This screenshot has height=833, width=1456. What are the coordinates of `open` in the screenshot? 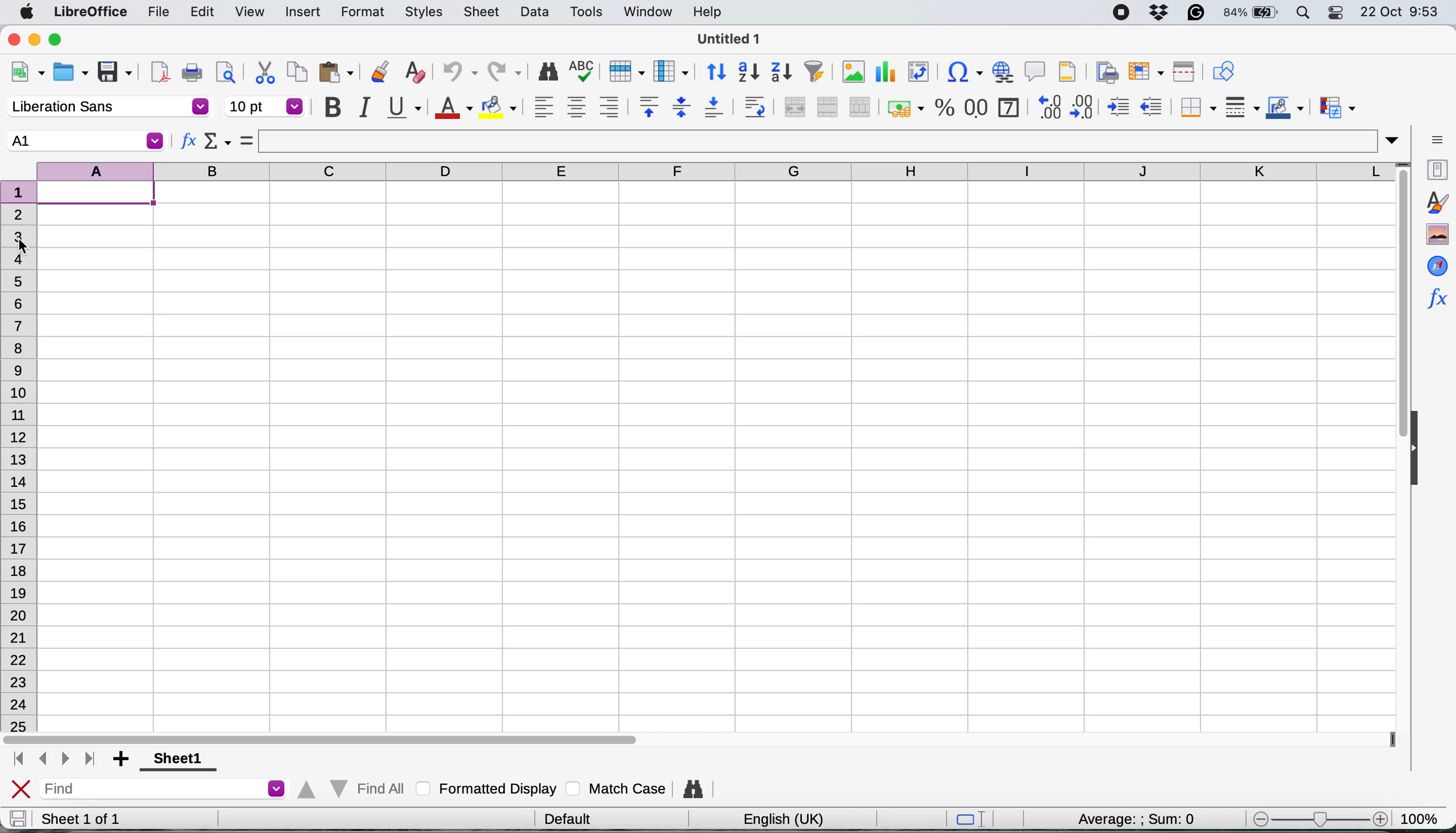 It's located at (70, 74).